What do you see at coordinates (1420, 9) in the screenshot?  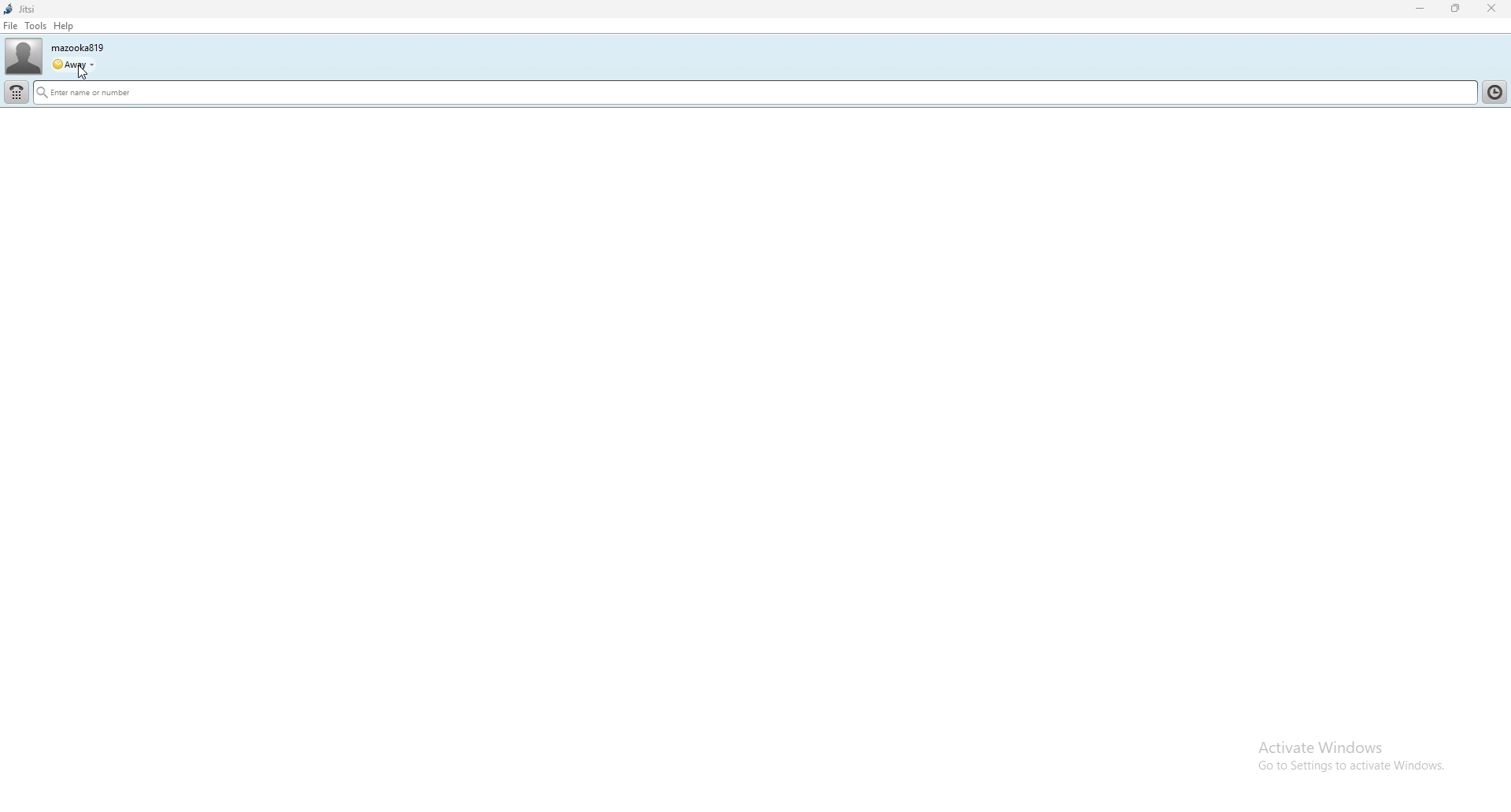 I see `minimize` at bounding box center [1420, 9].